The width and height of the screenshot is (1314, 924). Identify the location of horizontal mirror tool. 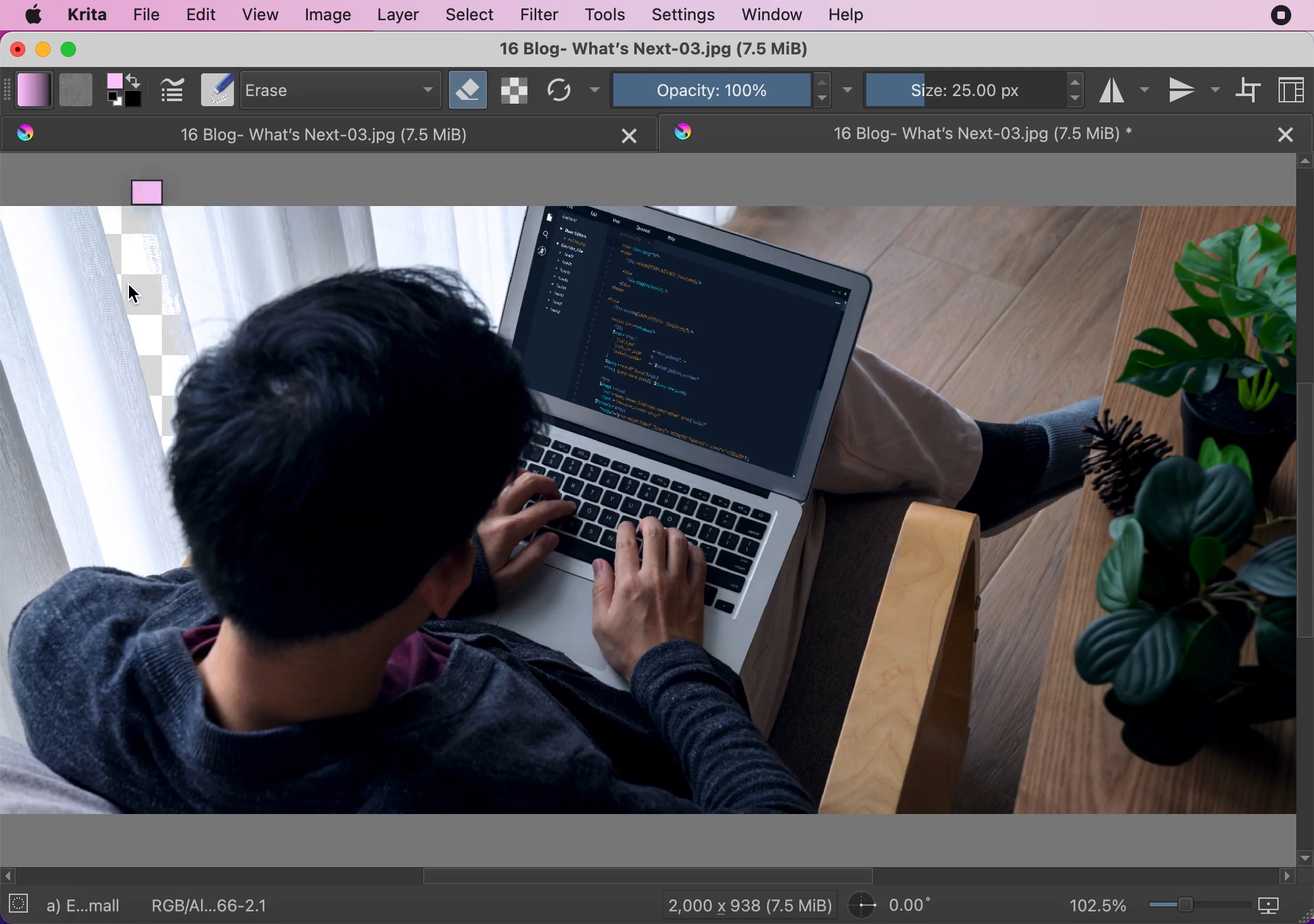
(1124, 88).